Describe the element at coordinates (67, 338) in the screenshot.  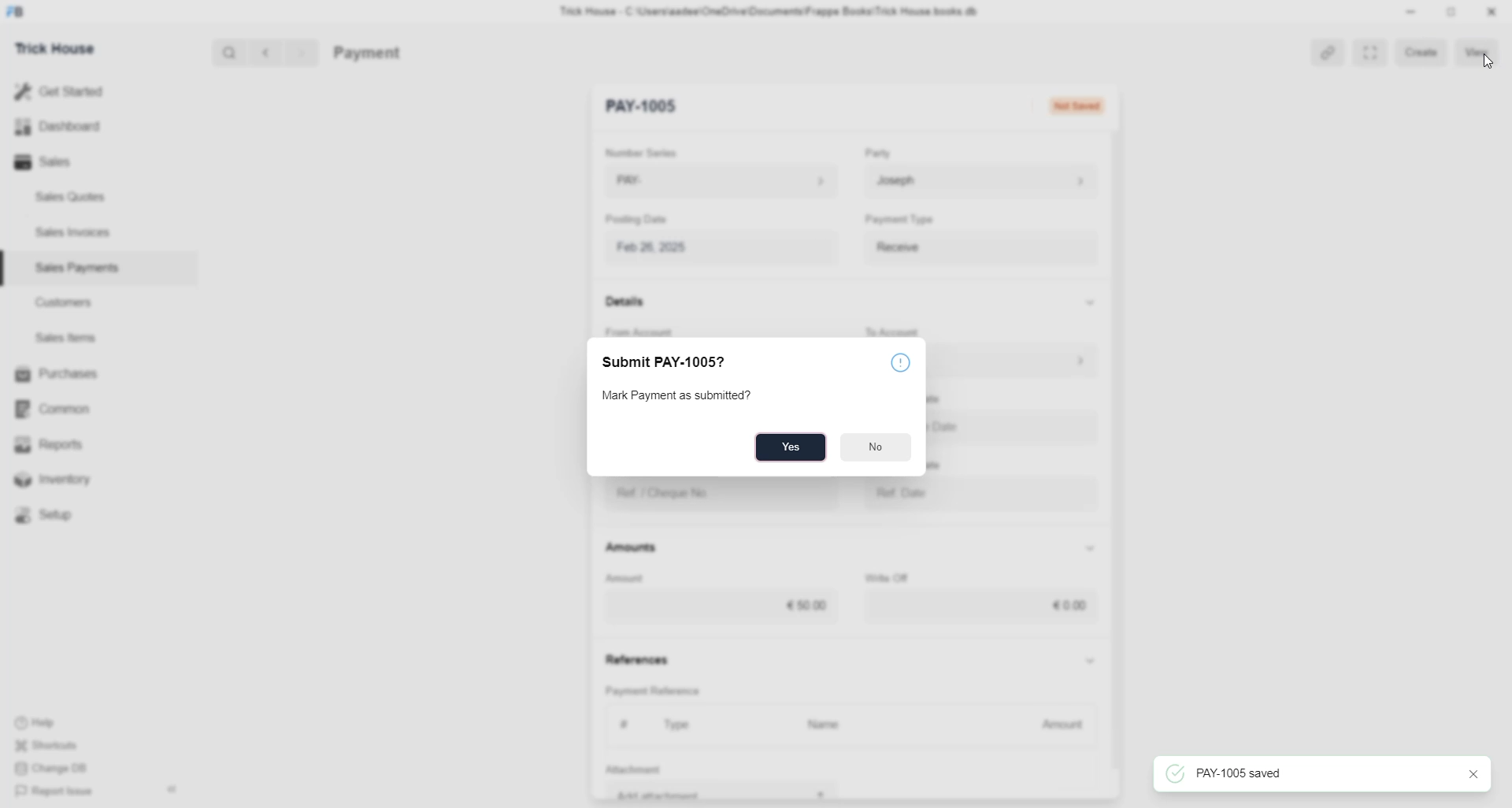
I see `Sales Items` at that location.